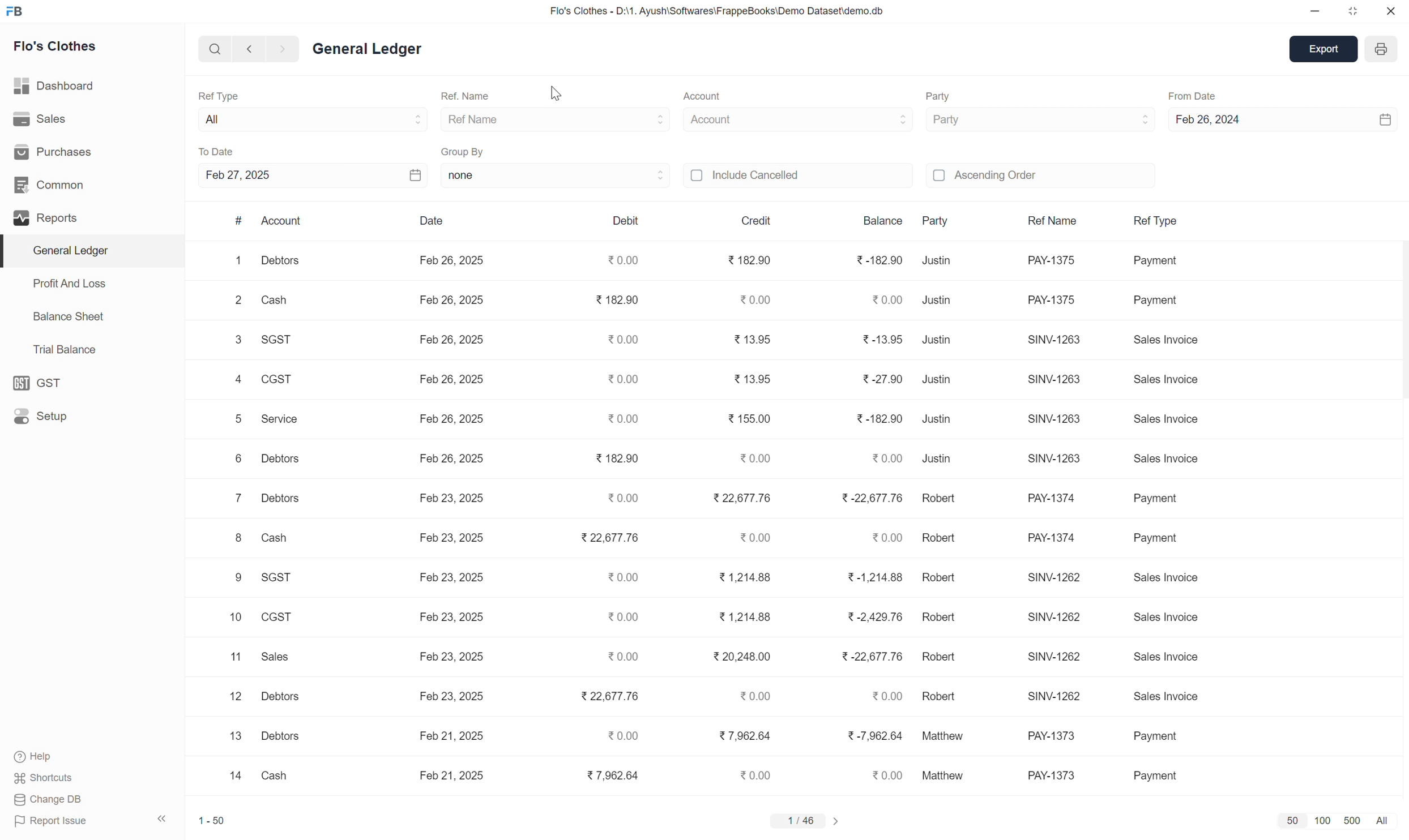  Describe the element at coordinates (941, 620) in the screenshot. I see `robert` at that location.